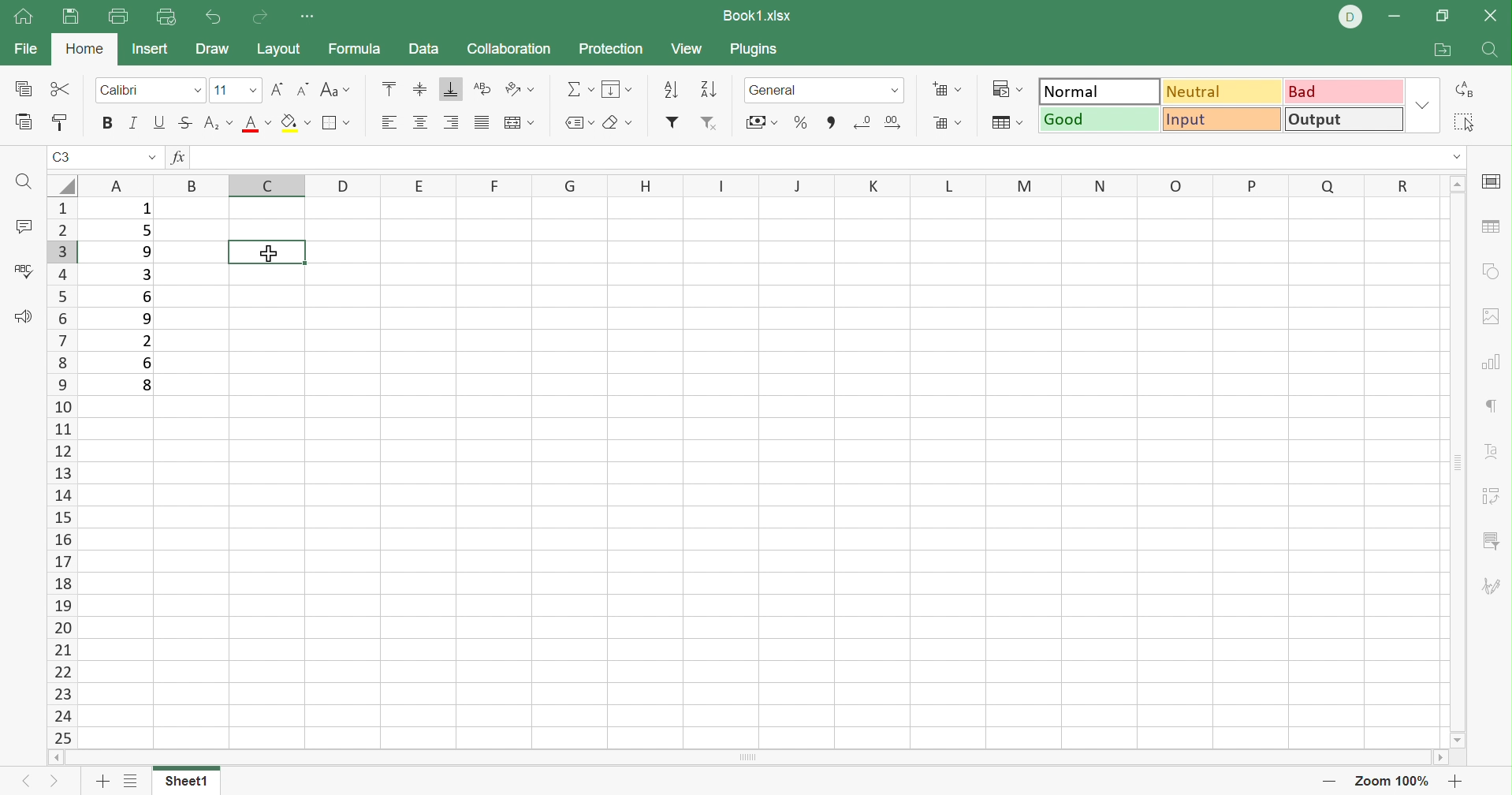  Describe the element at coordinates (799, 121) in the screenshot. I see `Percent style` at that location.